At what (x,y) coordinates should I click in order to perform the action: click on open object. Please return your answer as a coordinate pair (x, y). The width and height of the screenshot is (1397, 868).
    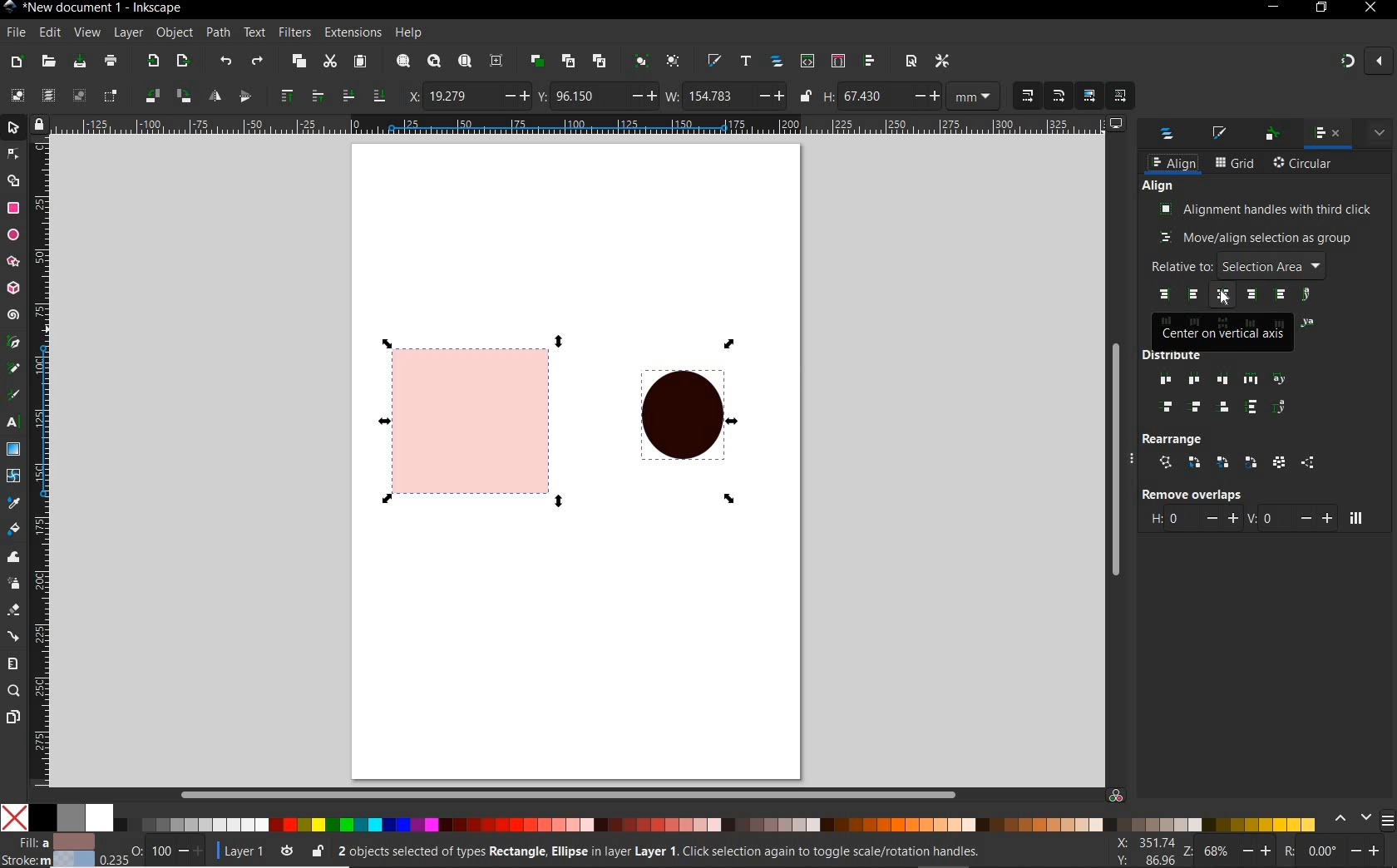
    Looking at the image, I should click on (777, 62).